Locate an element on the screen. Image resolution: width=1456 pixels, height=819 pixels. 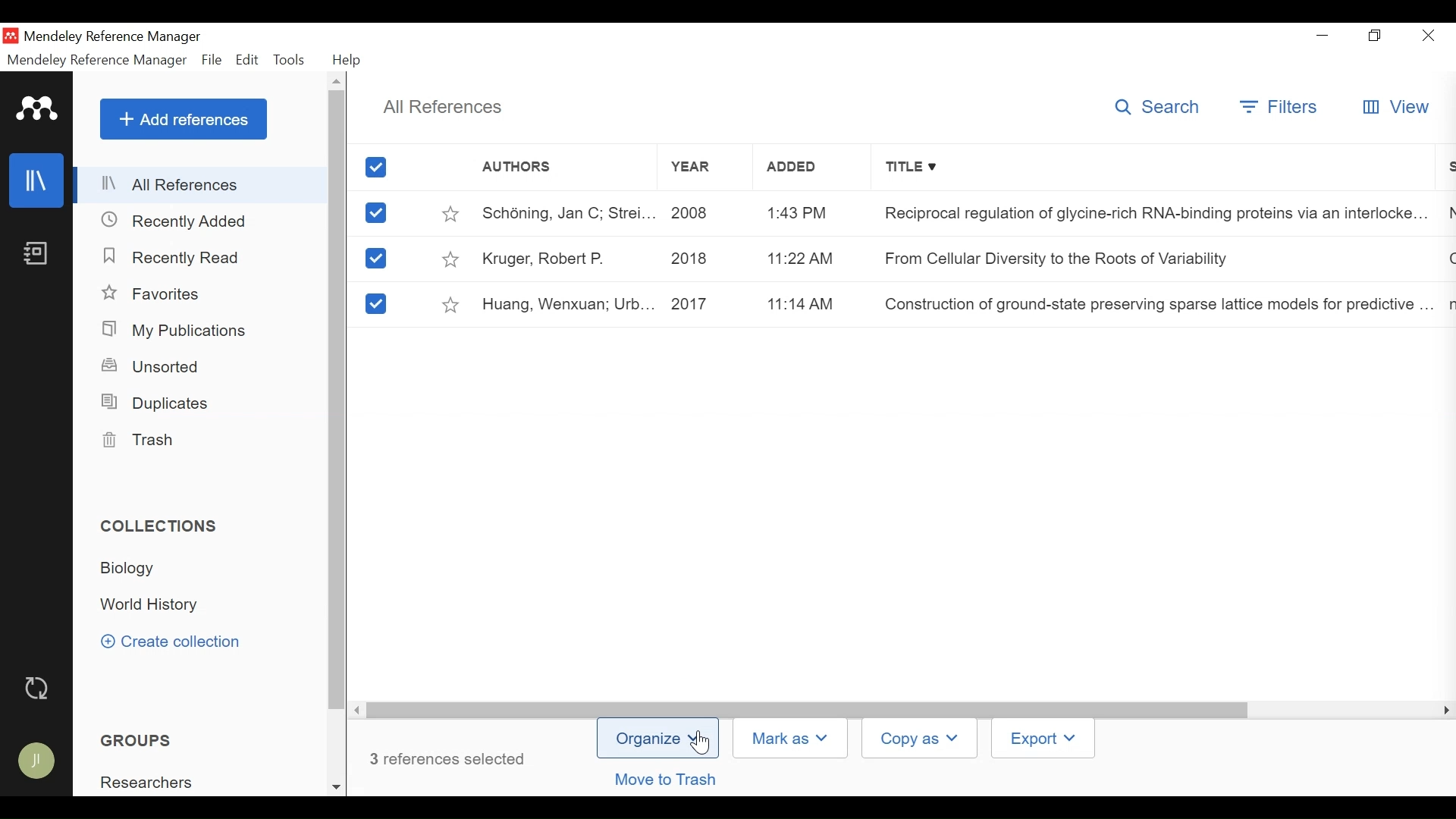
Year is located at coordinates (708, 170).